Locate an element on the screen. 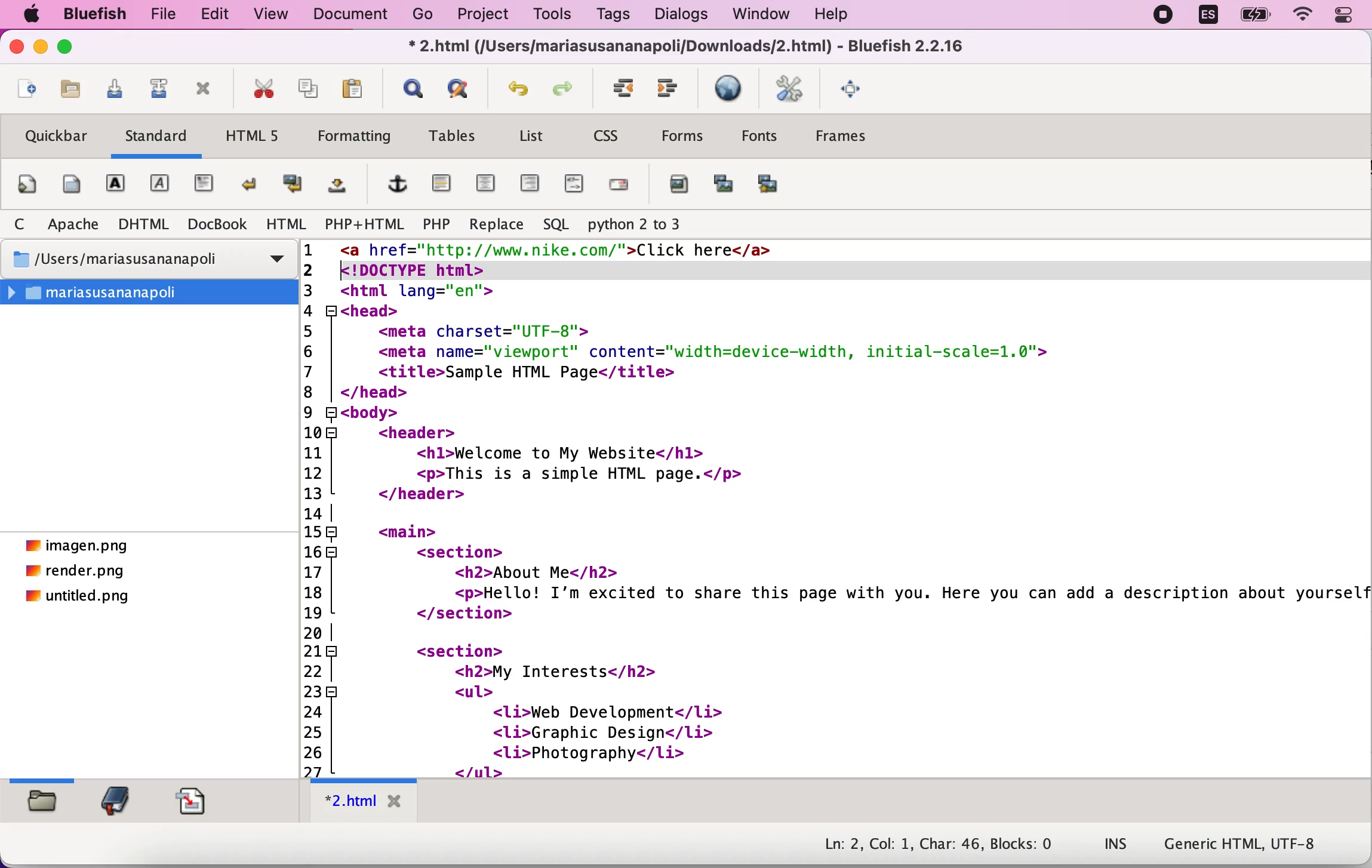 The height and width of the screenshot is (868, 1372). undo is located at coordinates (519, 88).